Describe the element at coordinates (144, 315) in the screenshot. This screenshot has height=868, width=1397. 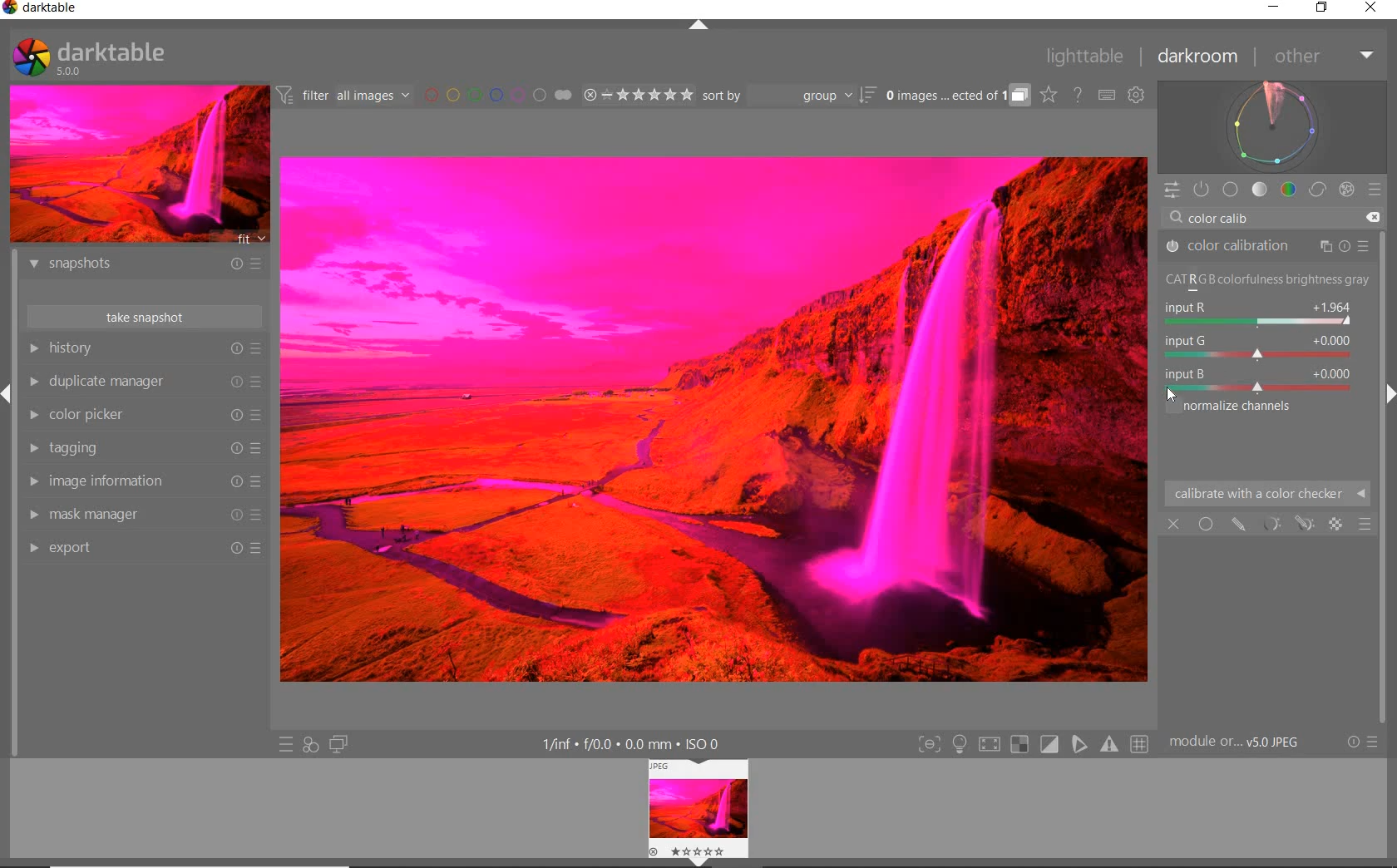
I see `take snapshot` at that location.